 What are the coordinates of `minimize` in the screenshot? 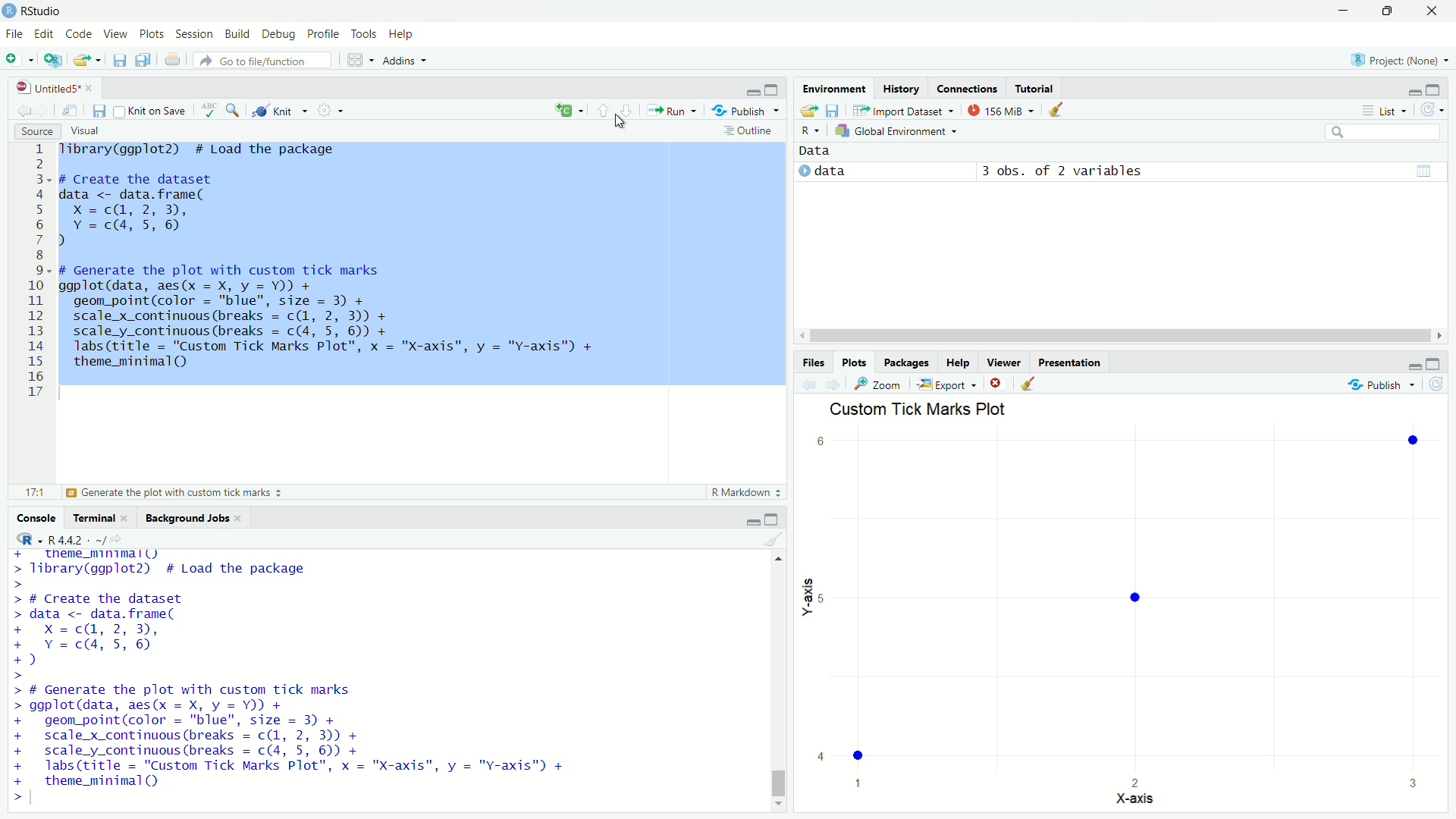 It's located at (744, 518).